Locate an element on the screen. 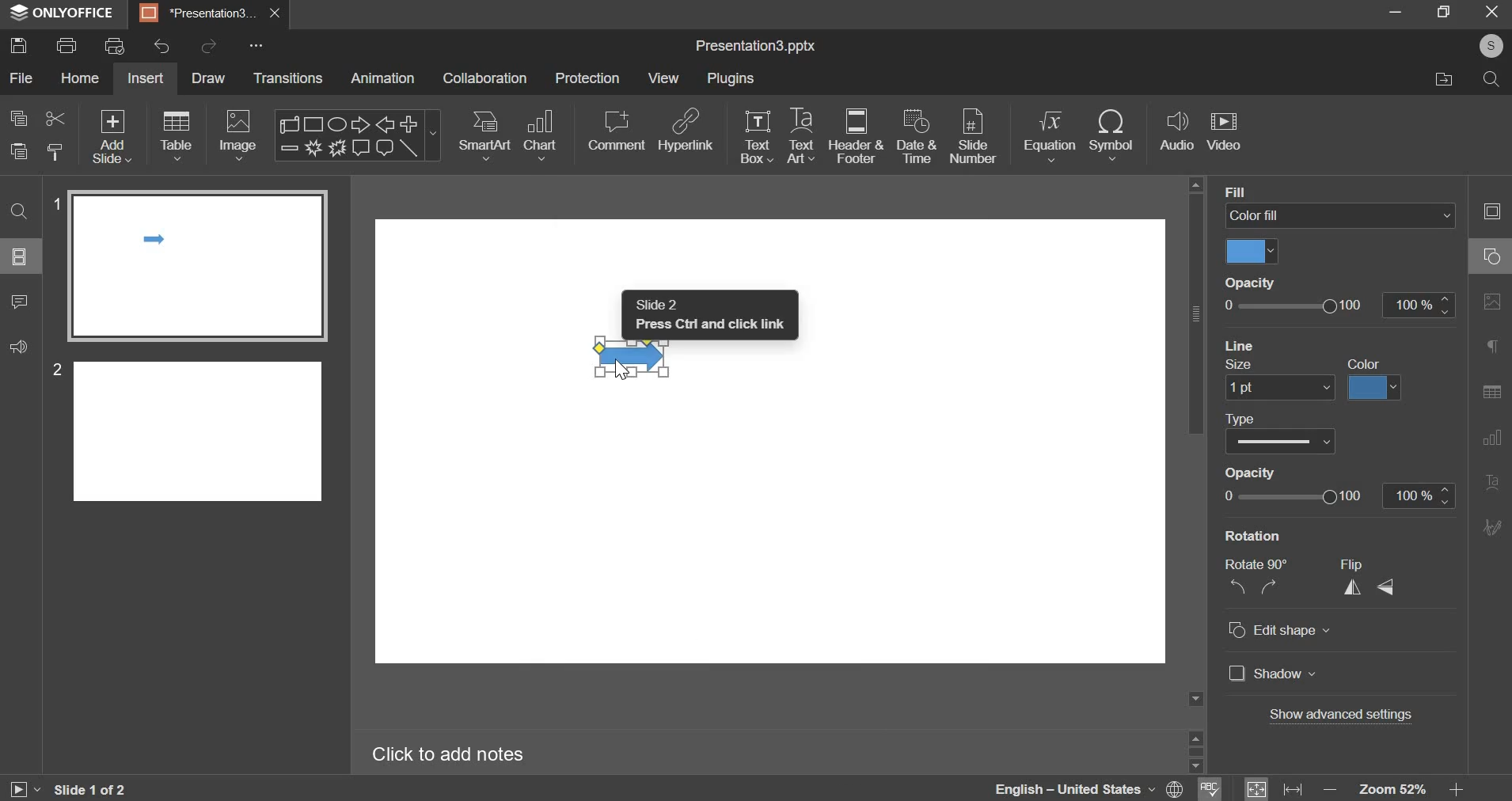 Image resolution: width=1512 pixels, height=801 pixels. rectangular callout is located at coordinates (360, 148).